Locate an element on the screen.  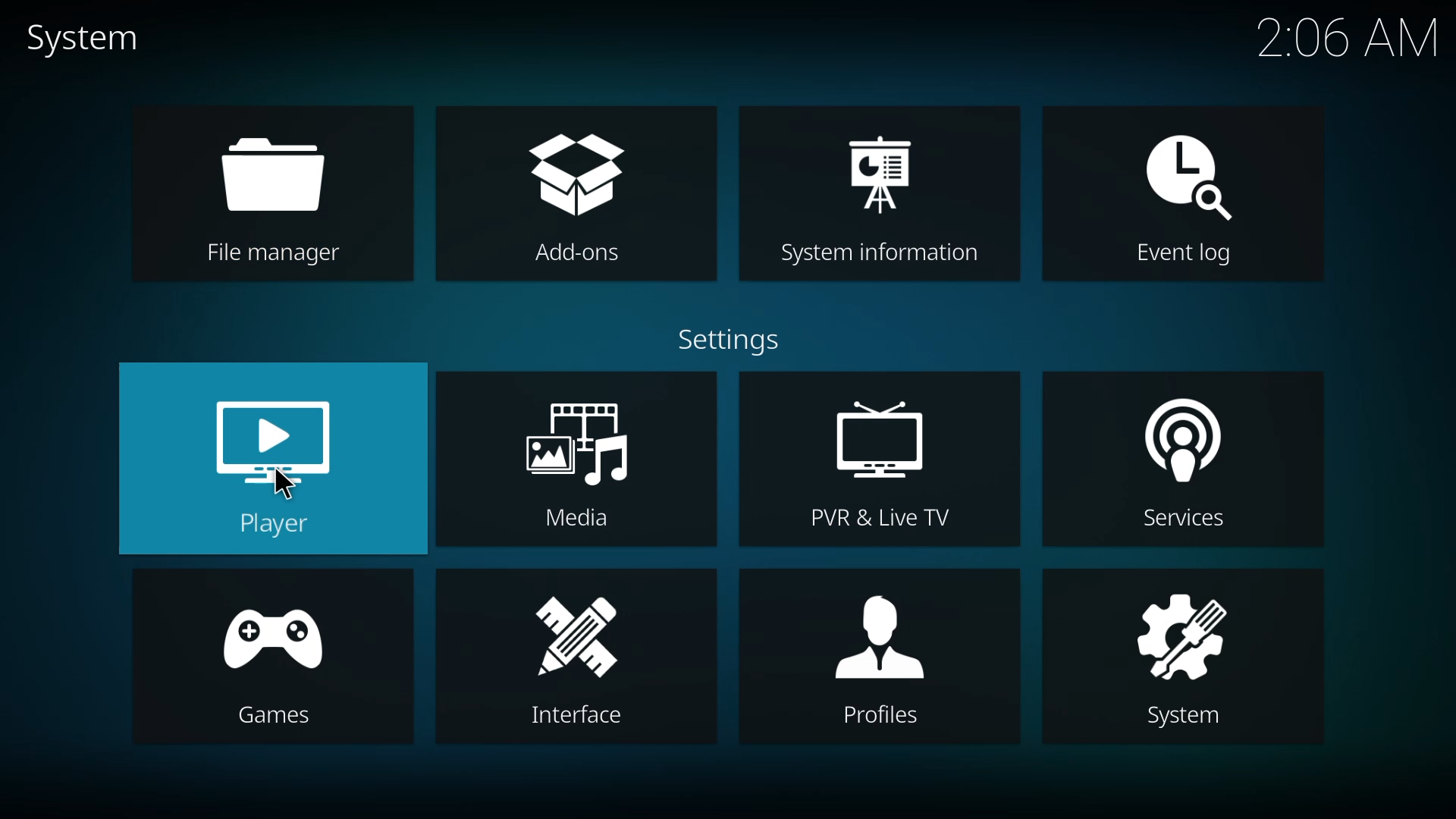
settings is located at coordinates (737, 340).